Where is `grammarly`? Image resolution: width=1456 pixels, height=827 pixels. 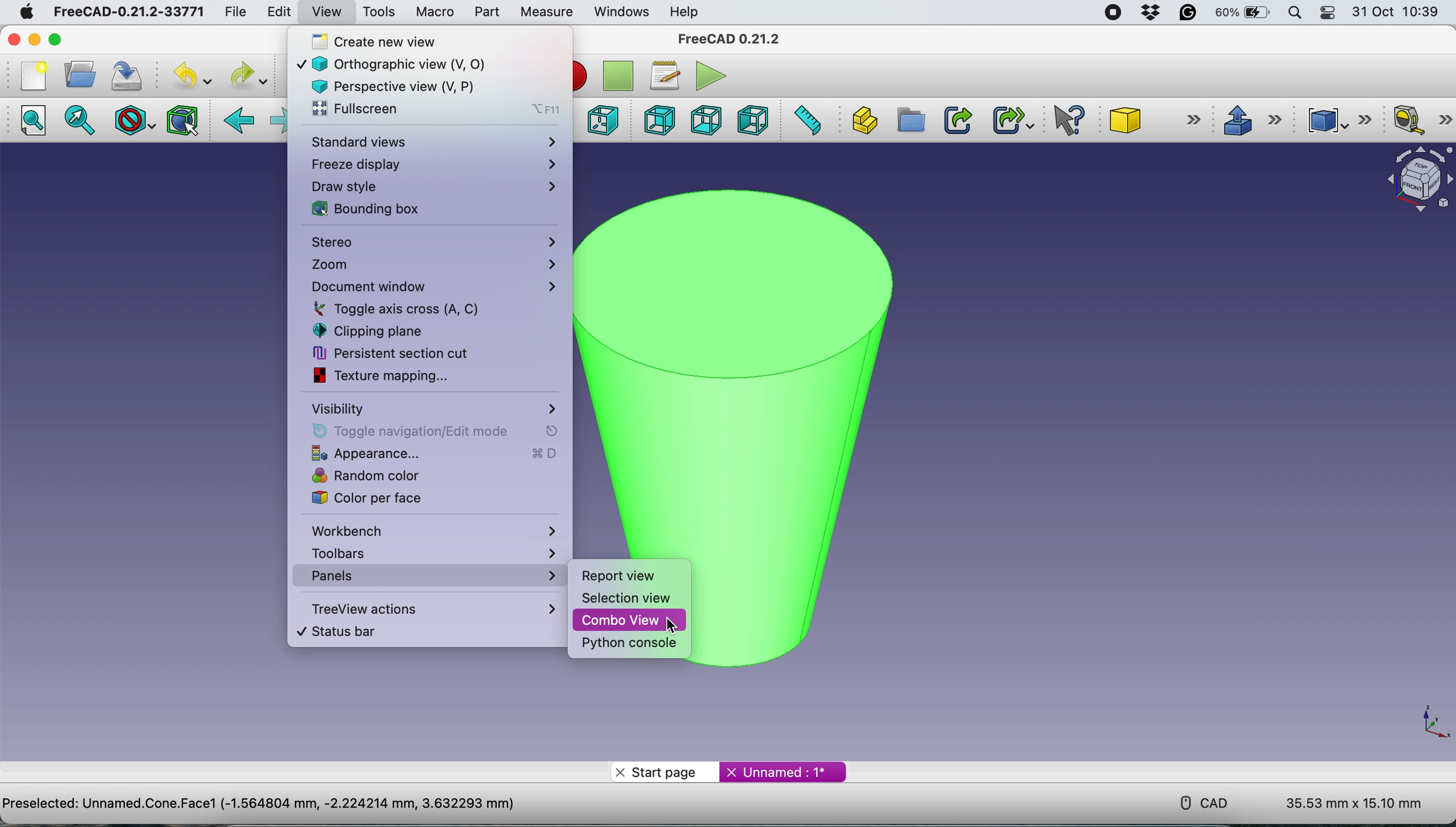
grammarly is located at coordinates (1189, 15).